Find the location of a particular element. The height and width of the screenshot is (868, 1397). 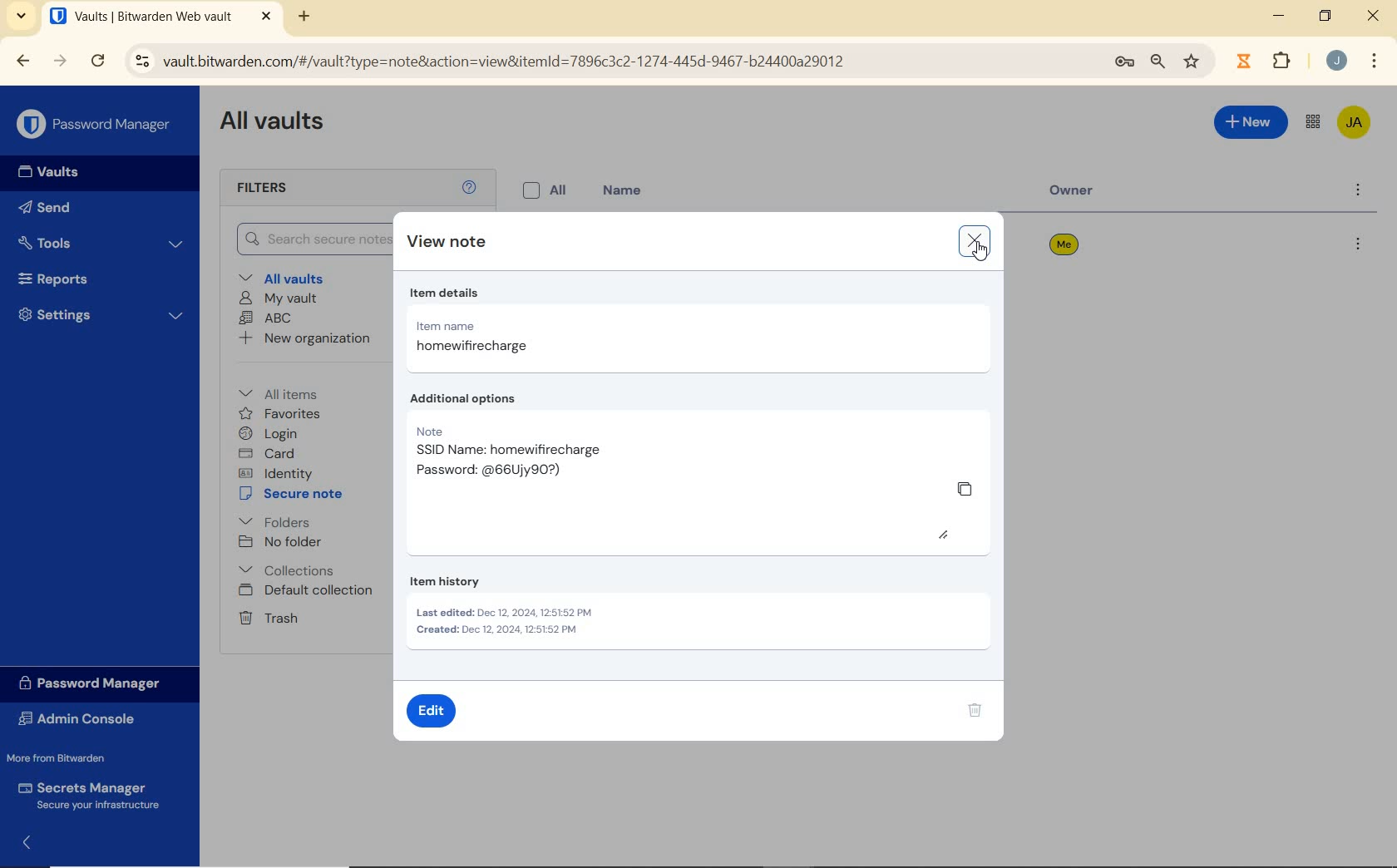

folders is located at coordinates (274, 520).